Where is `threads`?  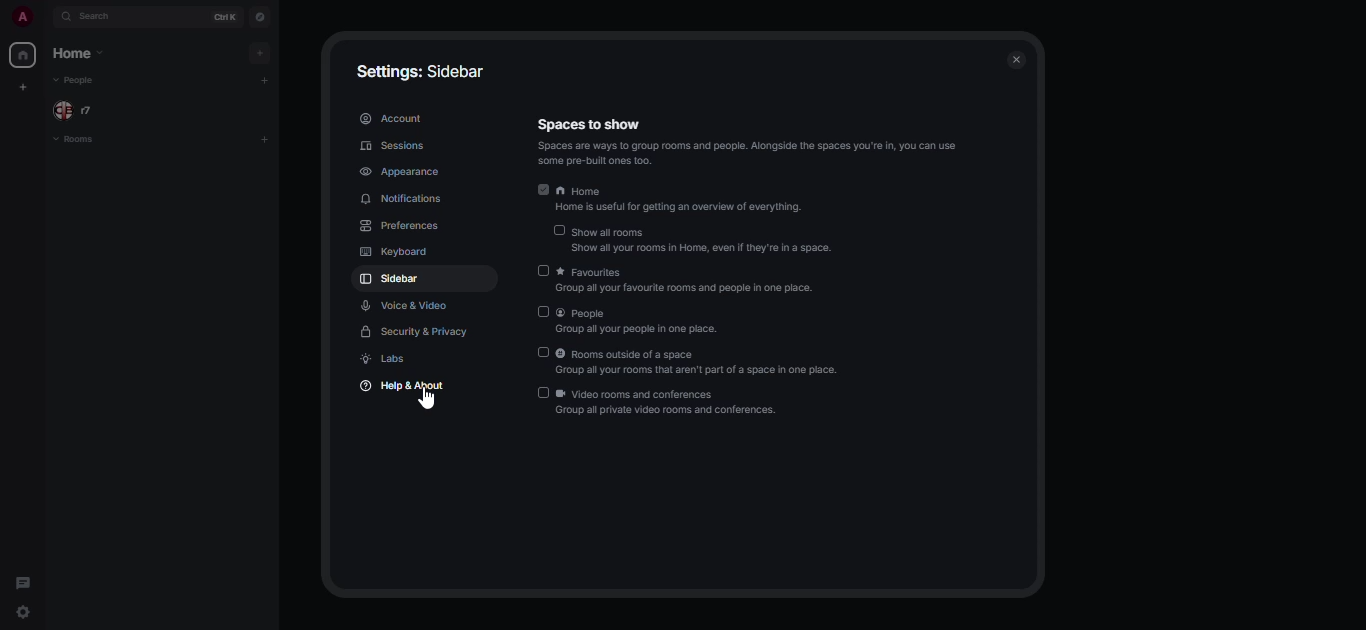 threads is located at coordinates (23, 581).